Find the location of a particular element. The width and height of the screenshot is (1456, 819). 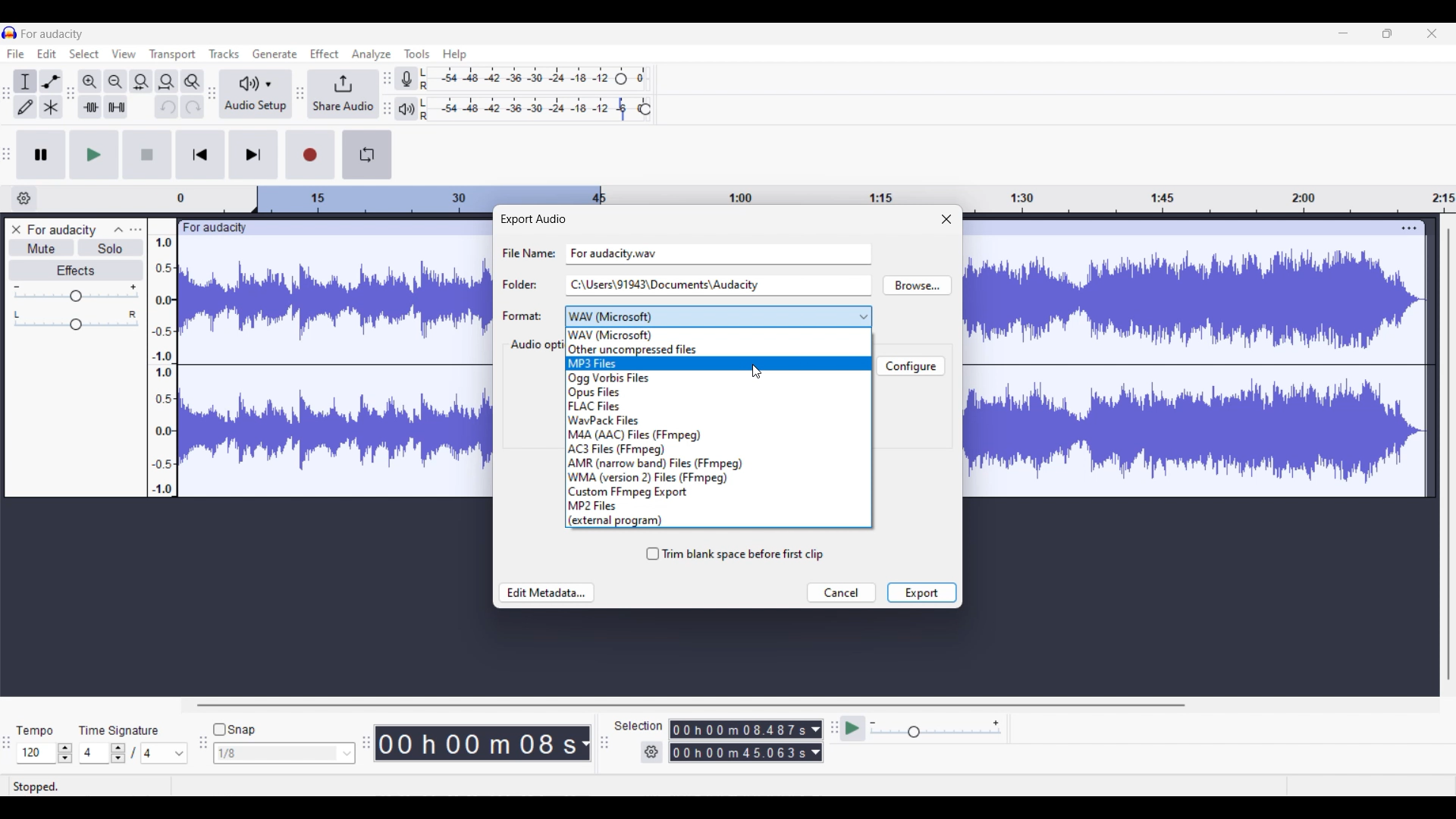

Scale to measure intensty if sound is located at coordinates (162, 366).